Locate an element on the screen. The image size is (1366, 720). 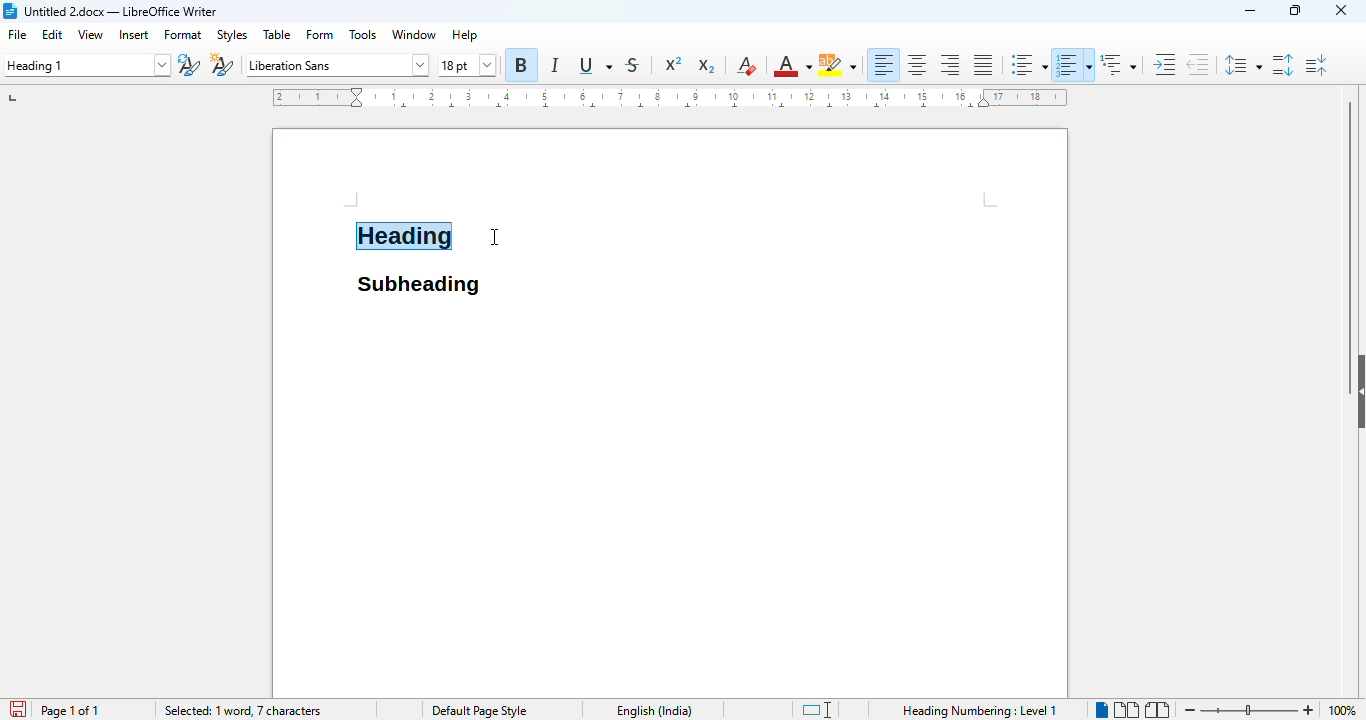
standard selection is located at coordinates (816, 710).